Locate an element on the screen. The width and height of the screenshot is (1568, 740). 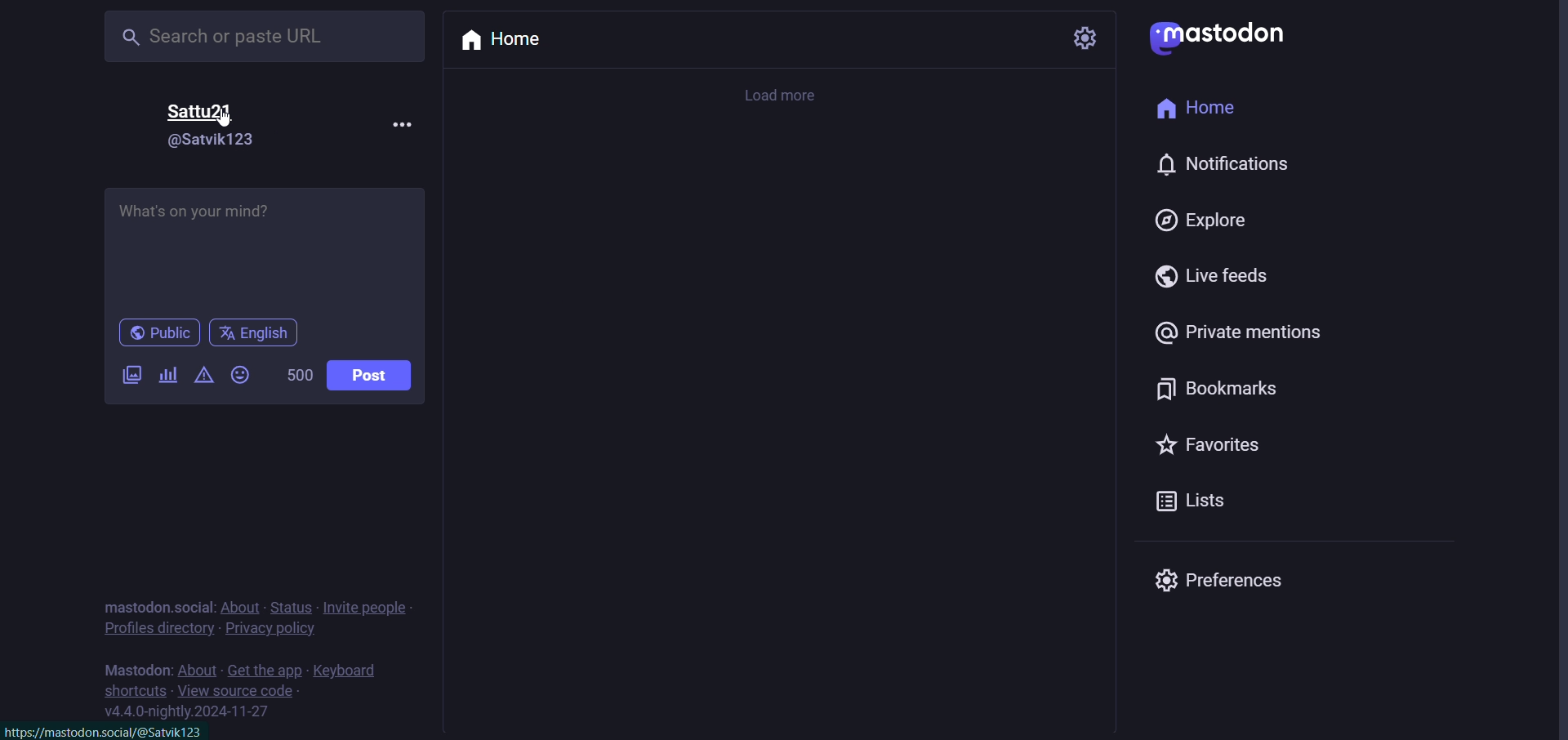
home is located at coordinates (1200, 109).